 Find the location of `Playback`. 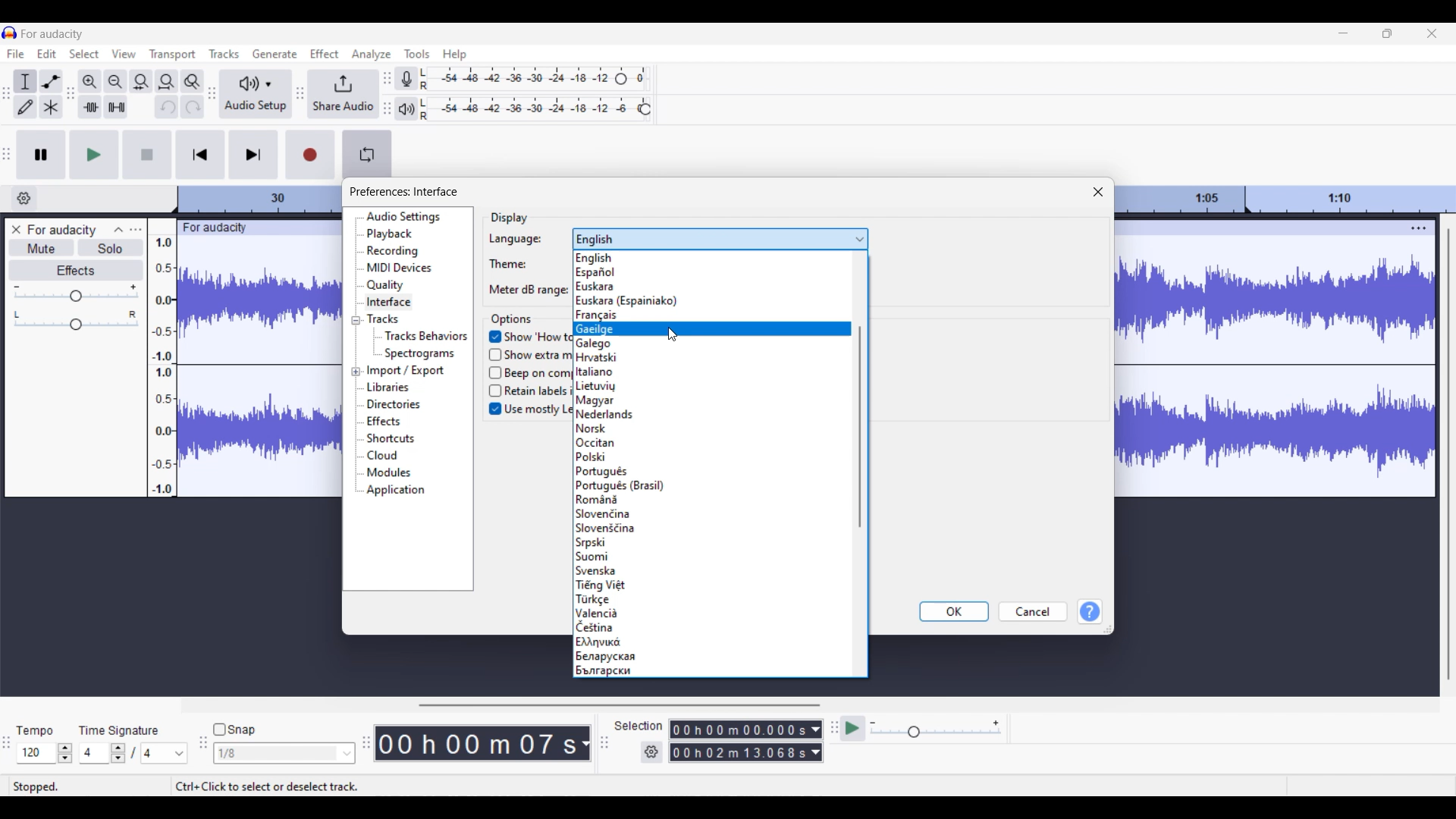

Playback is located at coordinates (391, 234).